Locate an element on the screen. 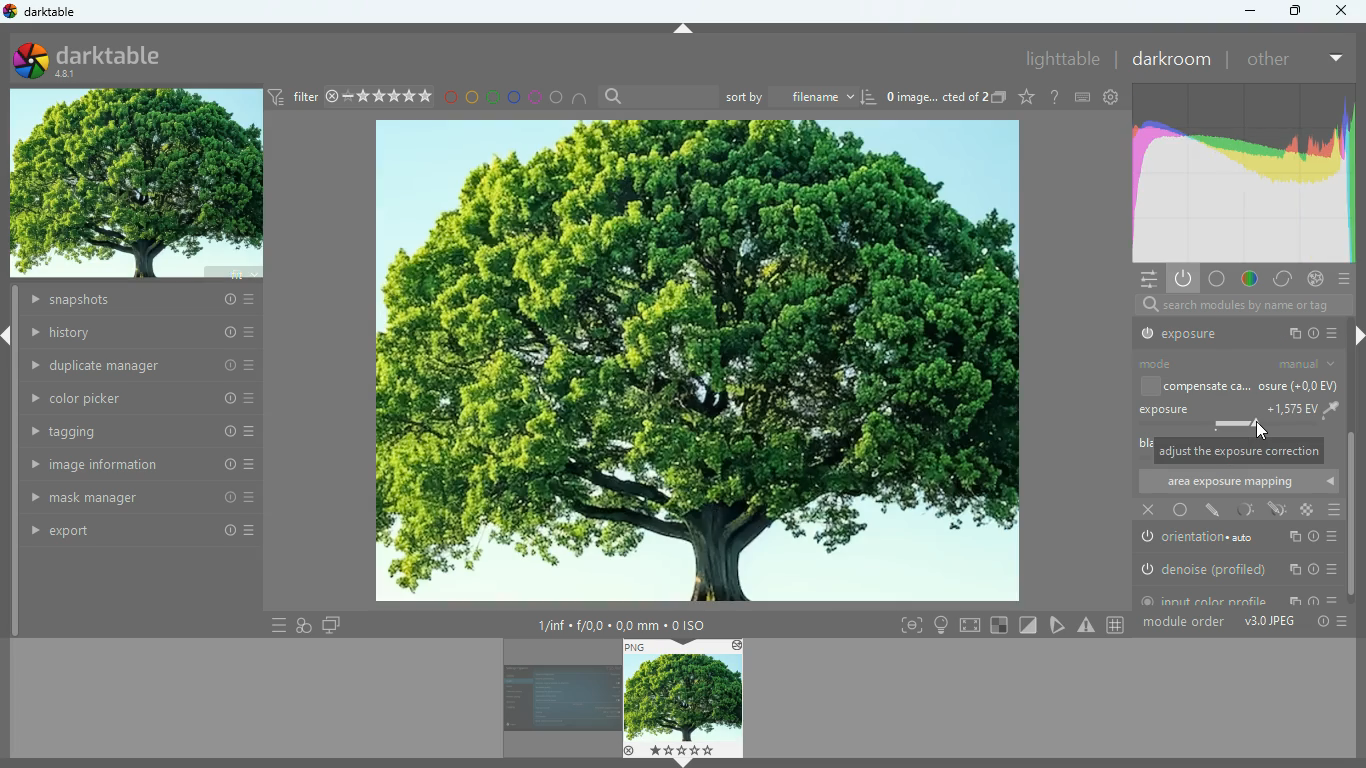 The width and height of the screenshot is (1366, 768). edit is located at coordinates (1211, 510).